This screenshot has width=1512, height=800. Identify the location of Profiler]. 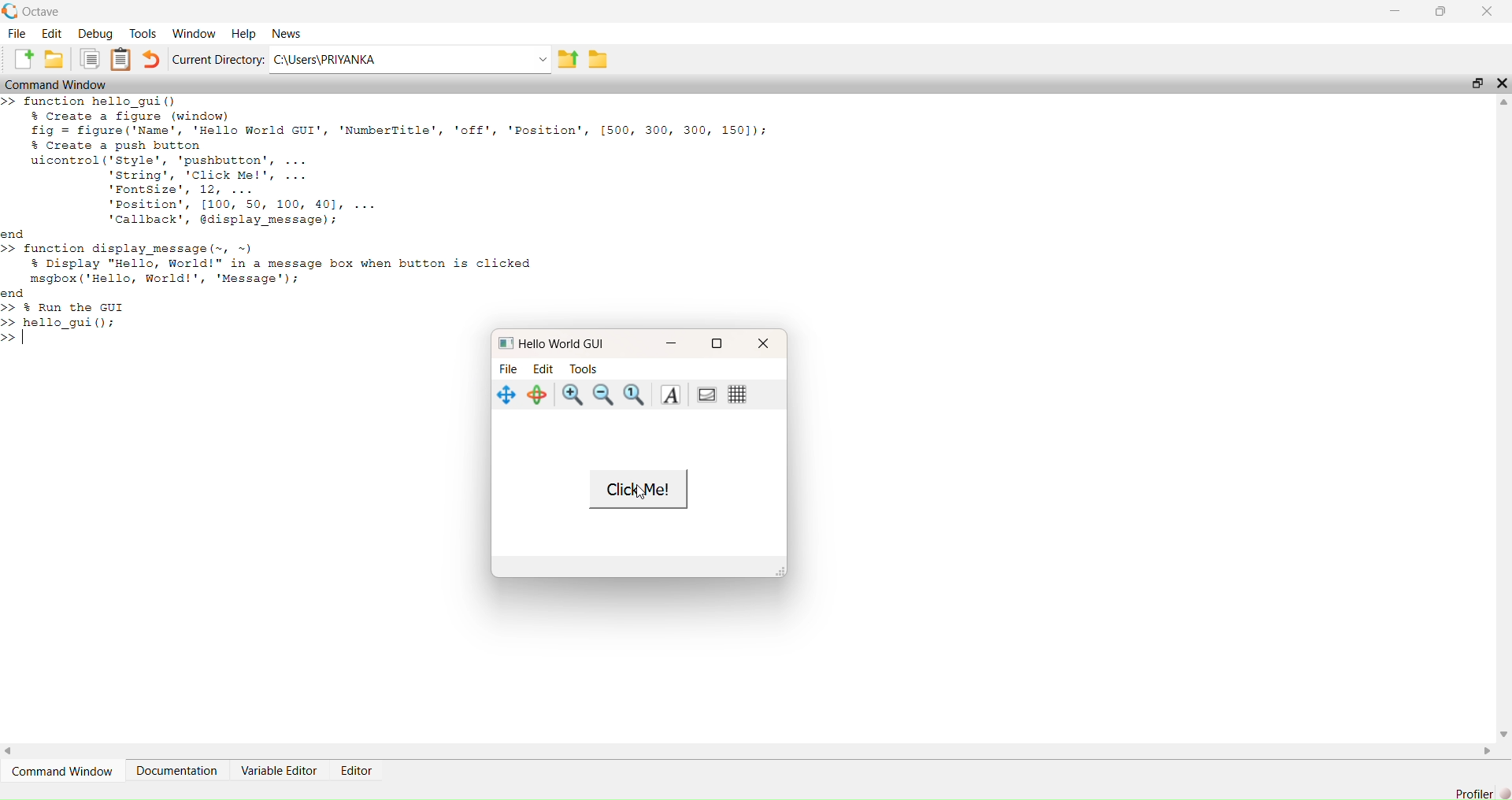
(1472, 791).